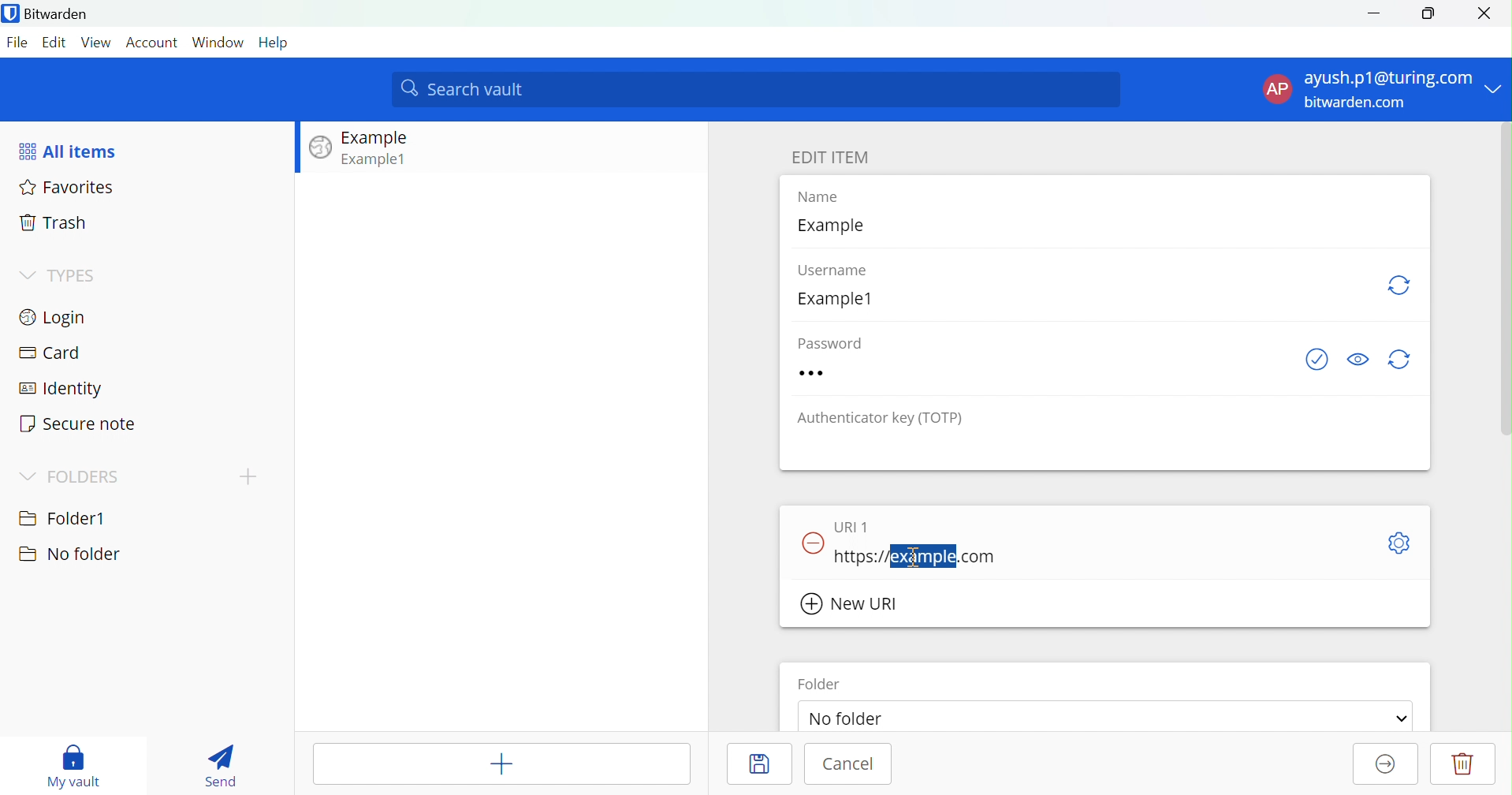  Describe the element at coordinates (830, 157) in the screenshot. I see `EDIT ITEM` at that location.